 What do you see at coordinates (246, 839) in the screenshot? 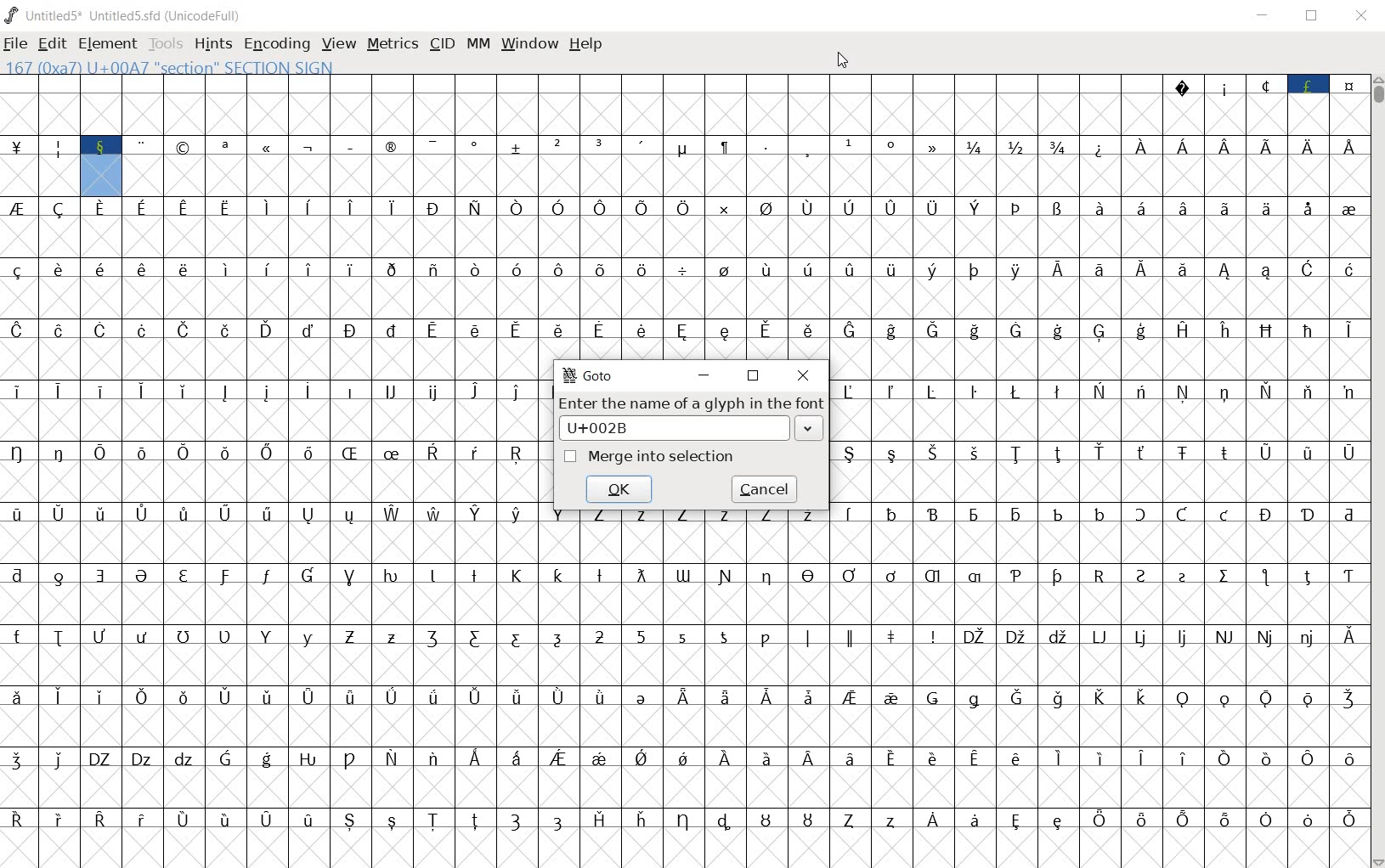
I see `Latin extended characters` at bounding box center [246, 839].